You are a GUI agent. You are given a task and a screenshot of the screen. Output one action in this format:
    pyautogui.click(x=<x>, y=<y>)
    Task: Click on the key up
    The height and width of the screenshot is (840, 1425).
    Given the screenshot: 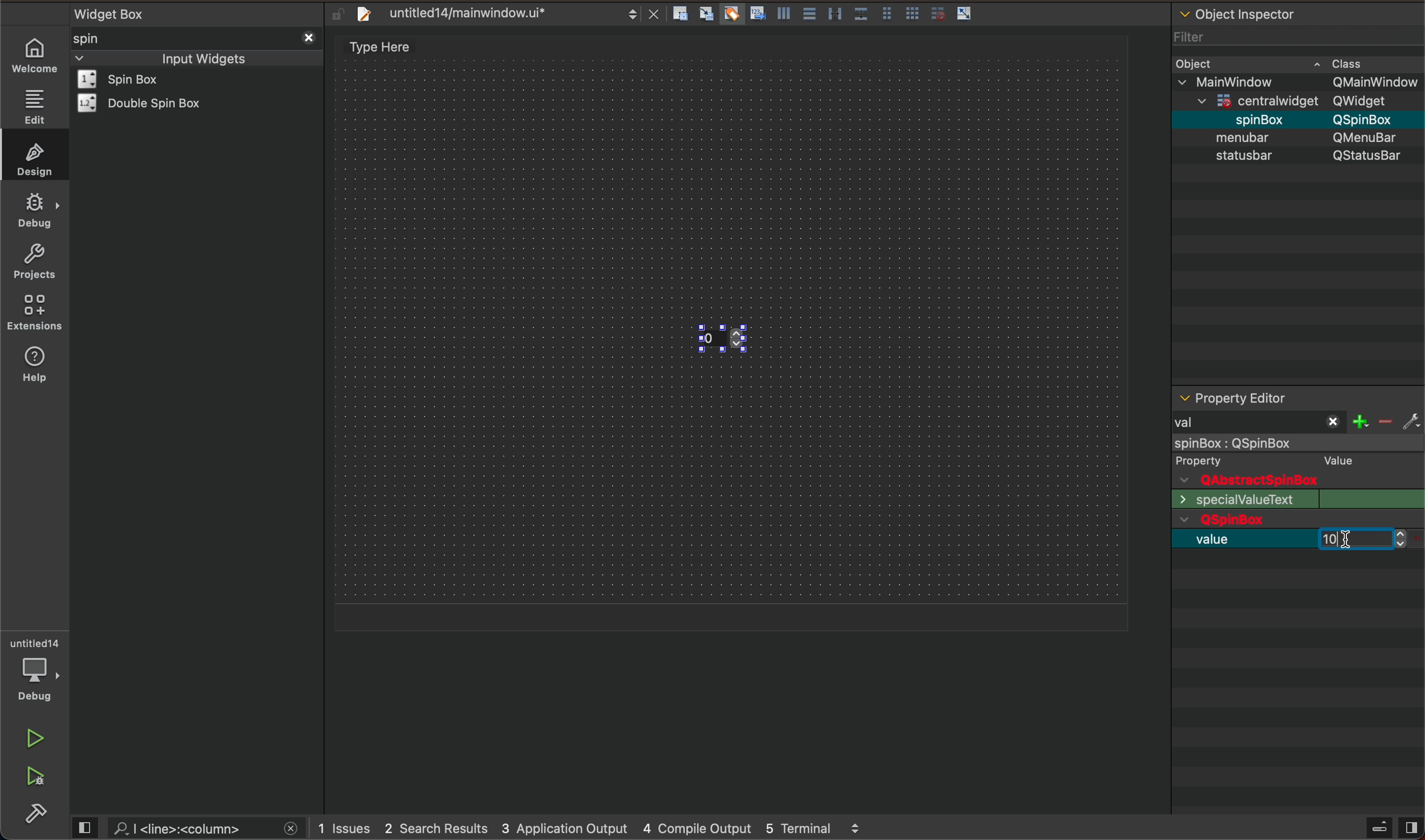 What is the action you would take?
    pyautogui.click(x=742, y=341)
    